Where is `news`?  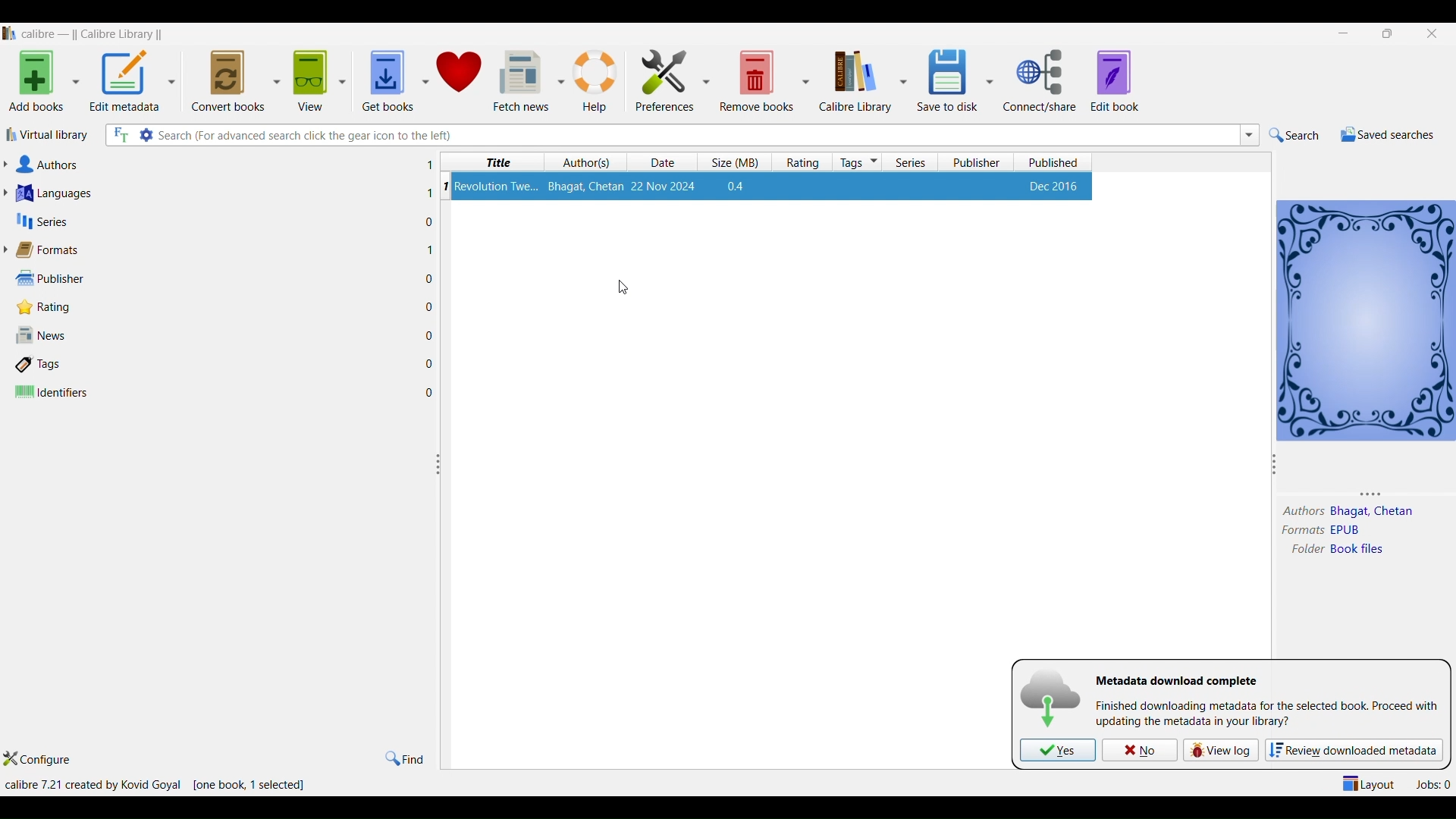 news is located at coordinates (43, 337).